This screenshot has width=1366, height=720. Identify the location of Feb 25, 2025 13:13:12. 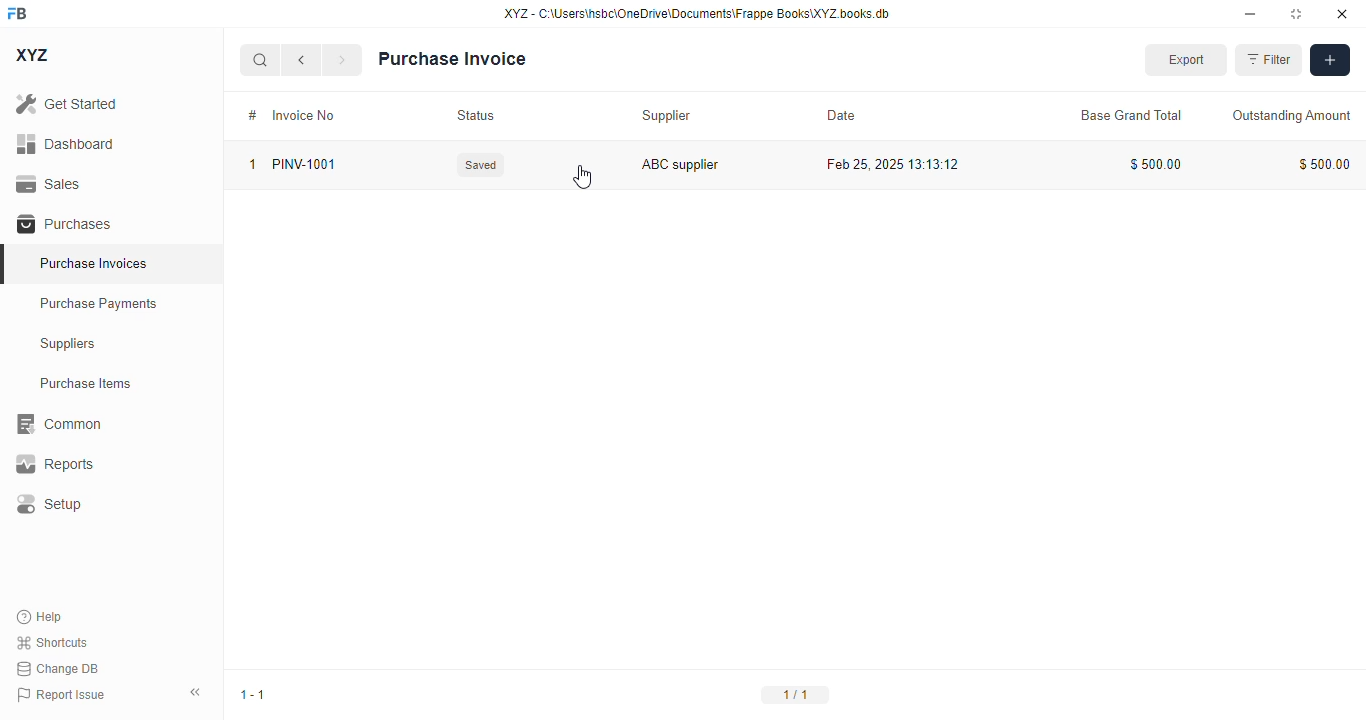
(894, 165).